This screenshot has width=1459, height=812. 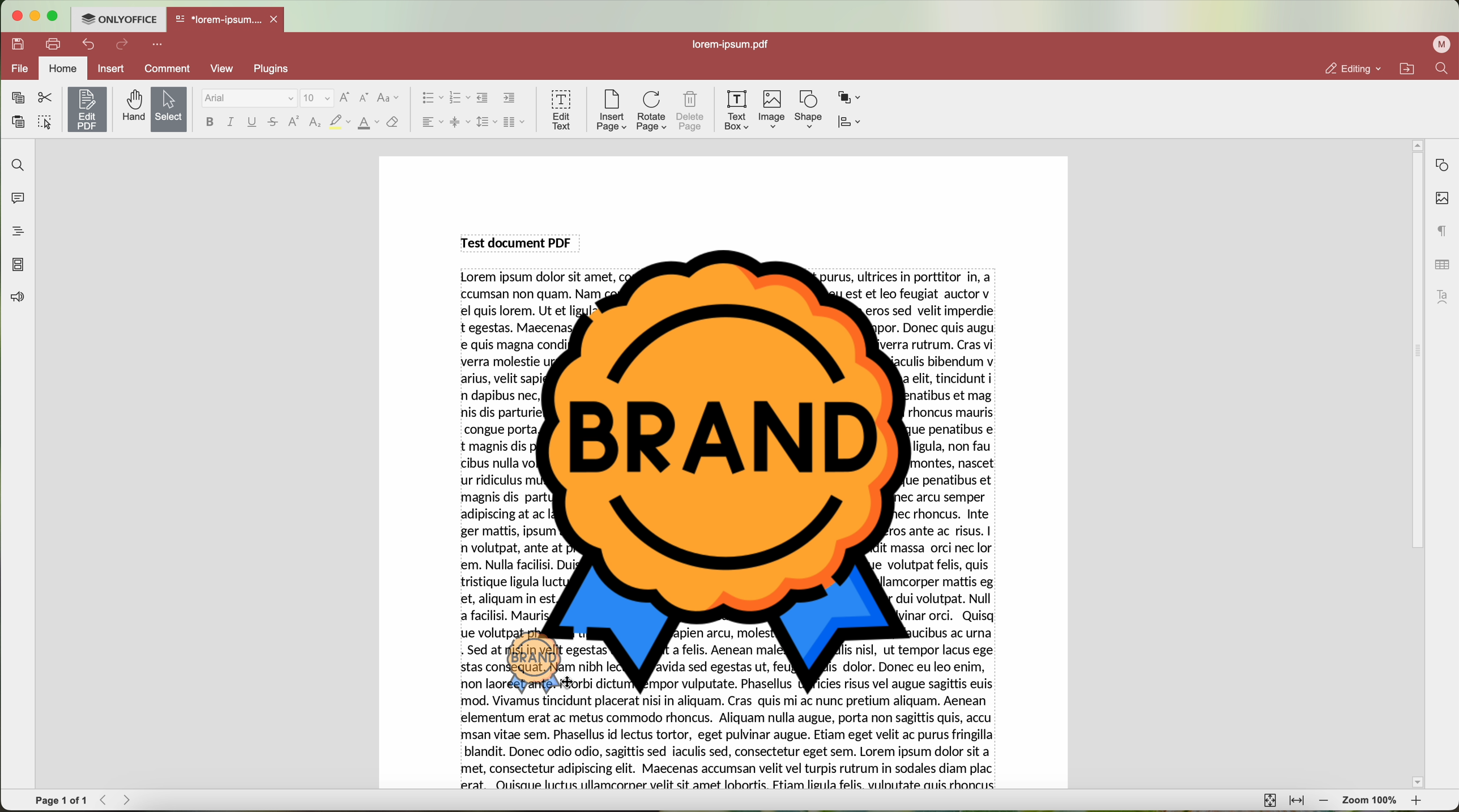 I want to click on insert page, so click(x=611, y=110).